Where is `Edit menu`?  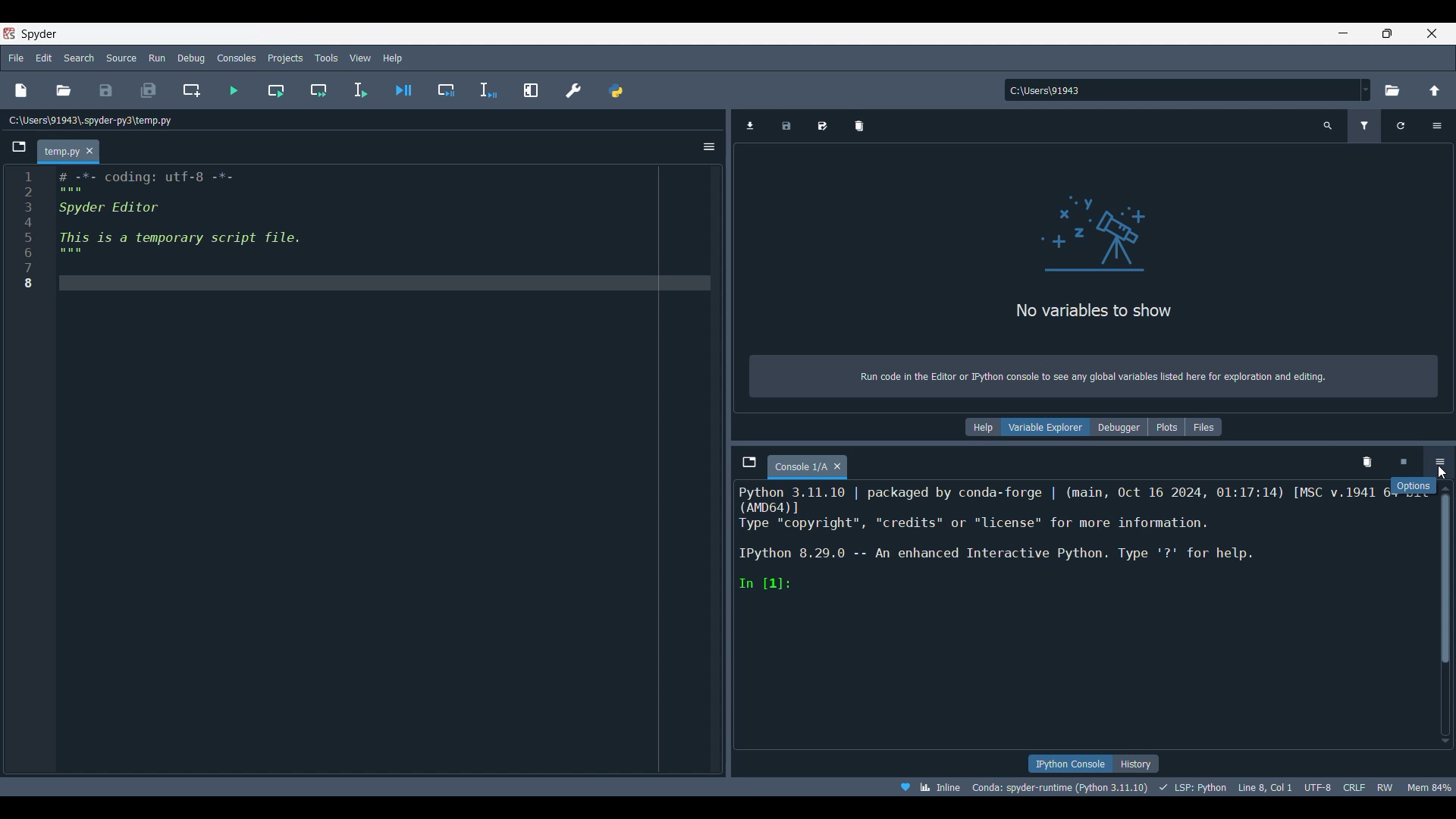 Edit menu is located at coordinates (45, 58).